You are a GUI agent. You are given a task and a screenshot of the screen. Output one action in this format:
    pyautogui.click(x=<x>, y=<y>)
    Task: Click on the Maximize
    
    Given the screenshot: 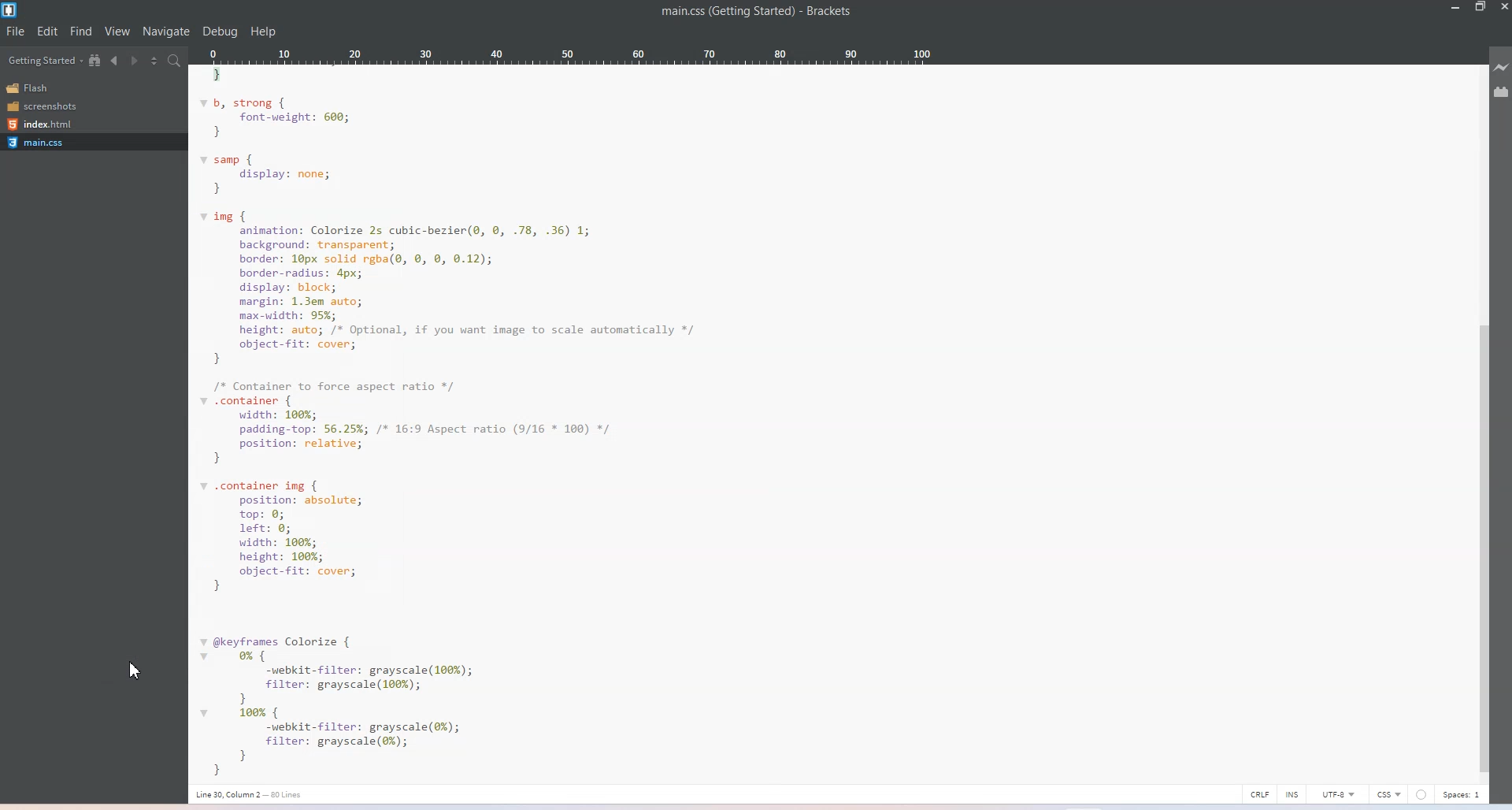 What is the action you would take?
    pyautogui.click(x=1480, y=8)
    